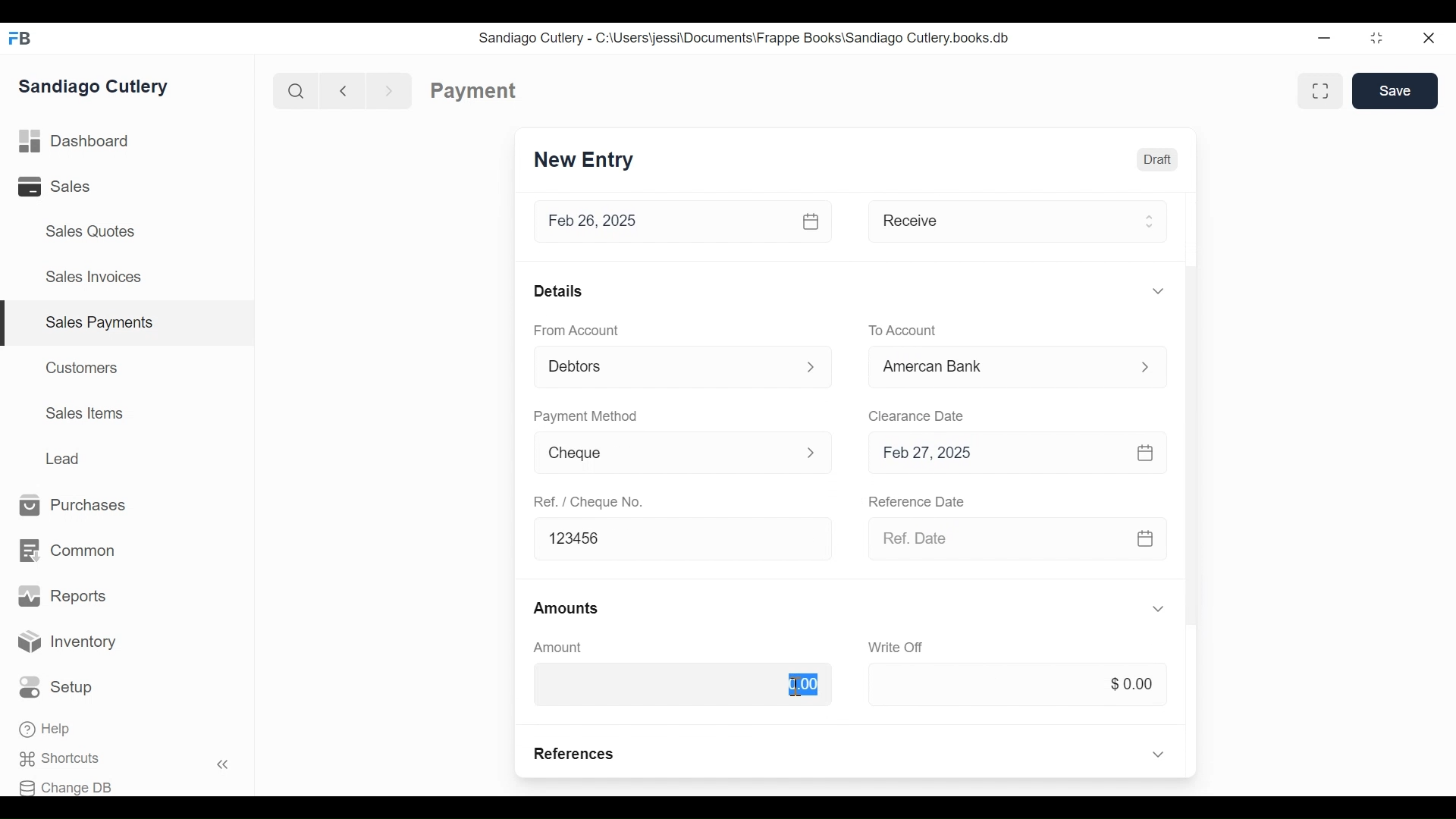 This screenshot has height=819, width=1456. Describe the element at coordinates (812, 368) in the screenshot. I see `Expand` at that location.